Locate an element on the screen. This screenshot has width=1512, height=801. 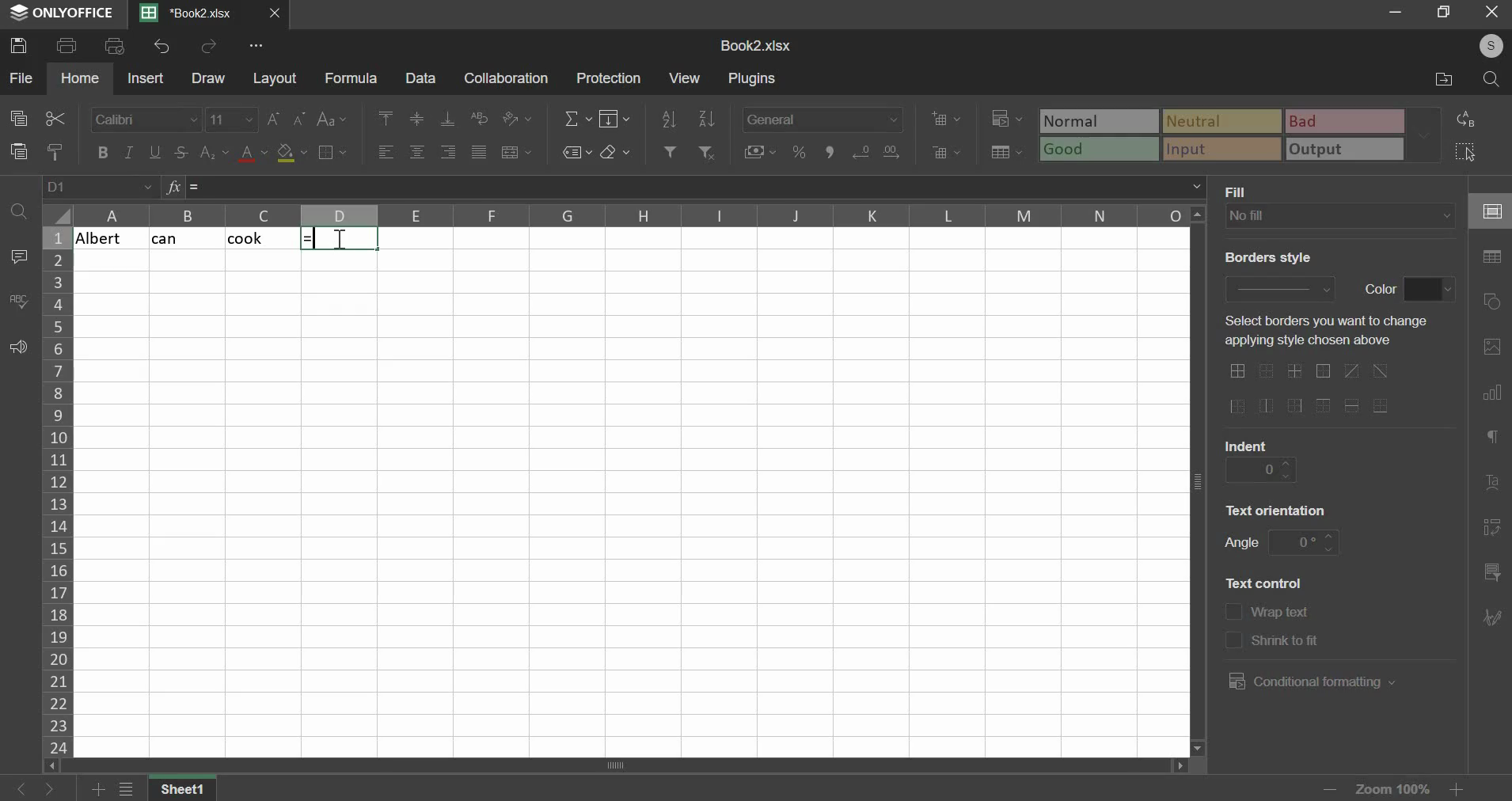
sum is located at coordinates (578, 117).